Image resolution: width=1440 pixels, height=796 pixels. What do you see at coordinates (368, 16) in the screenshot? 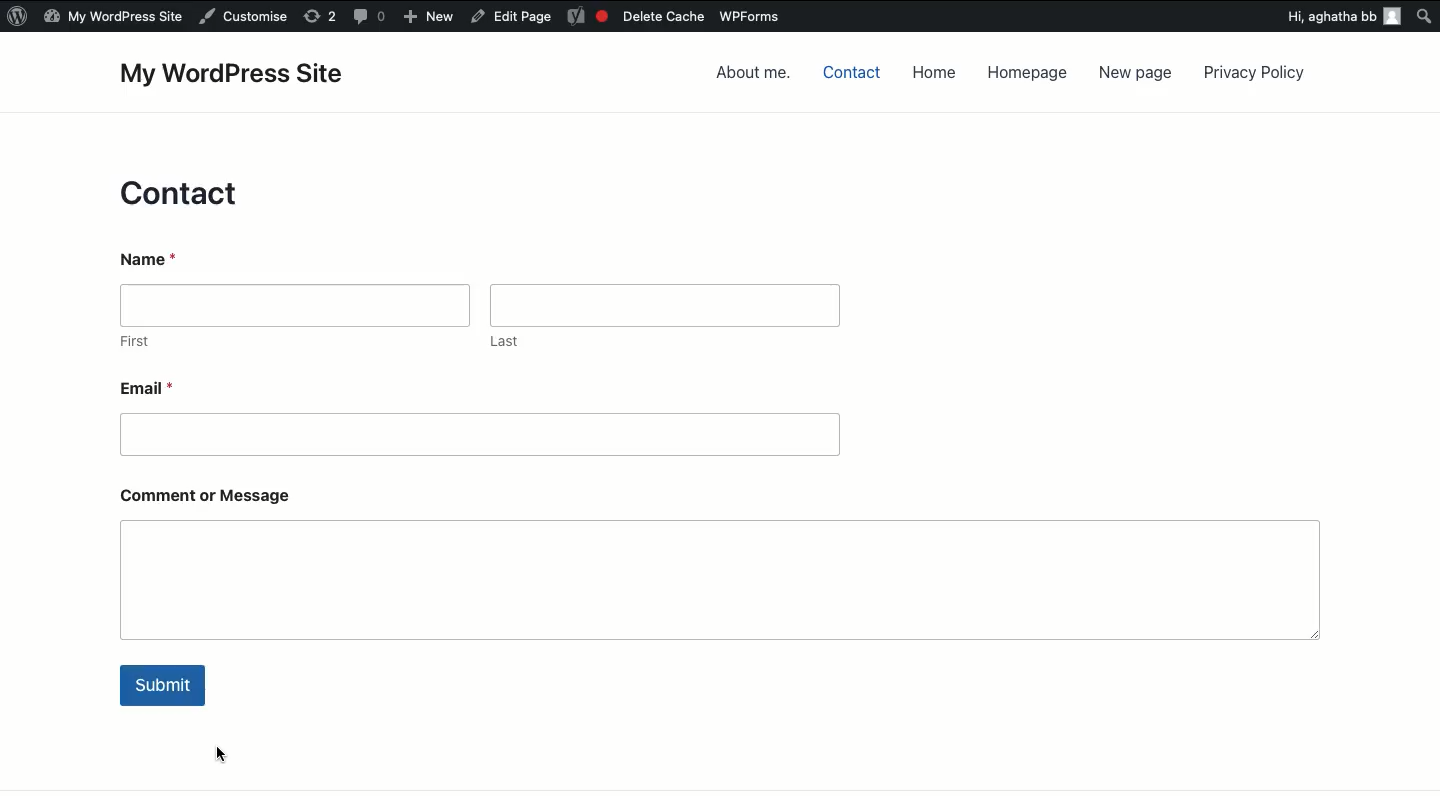
I see `comments` at bounding box center [368, 16].